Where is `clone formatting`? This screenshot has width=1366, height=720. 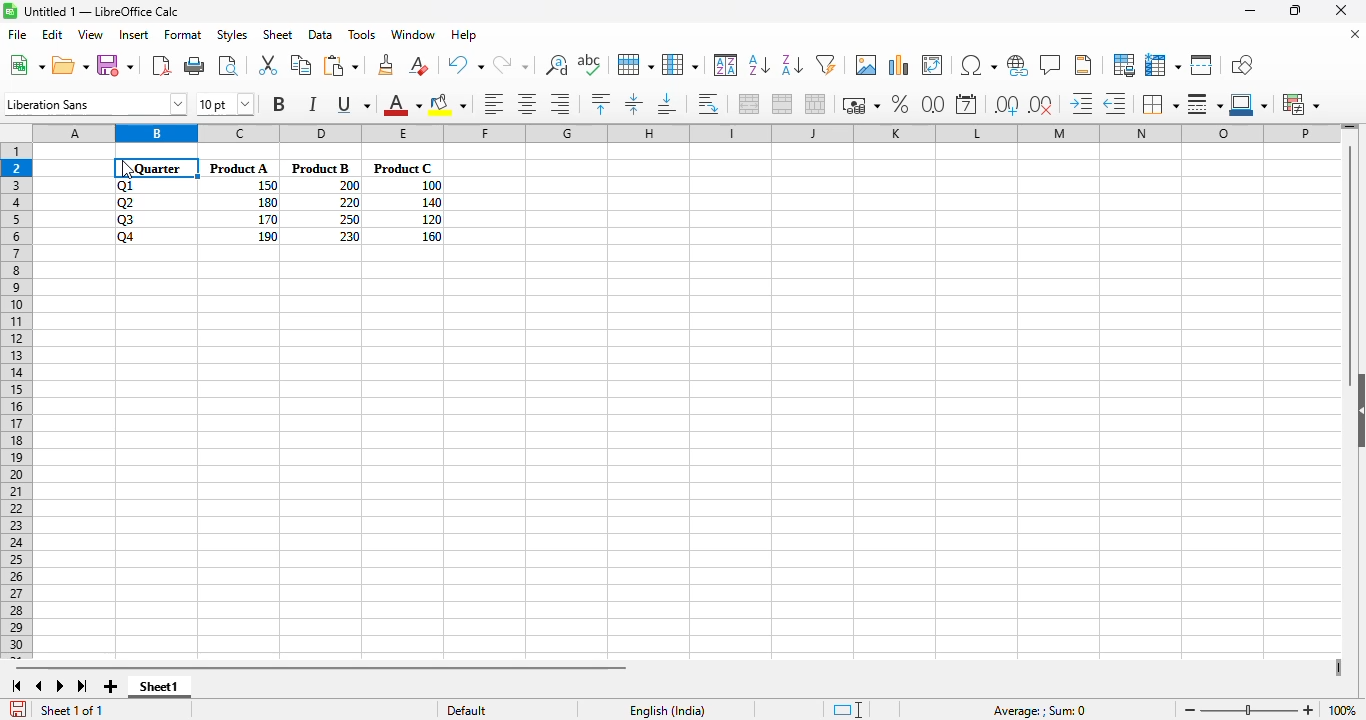
clone formatting is located at coordinates (387, 64).